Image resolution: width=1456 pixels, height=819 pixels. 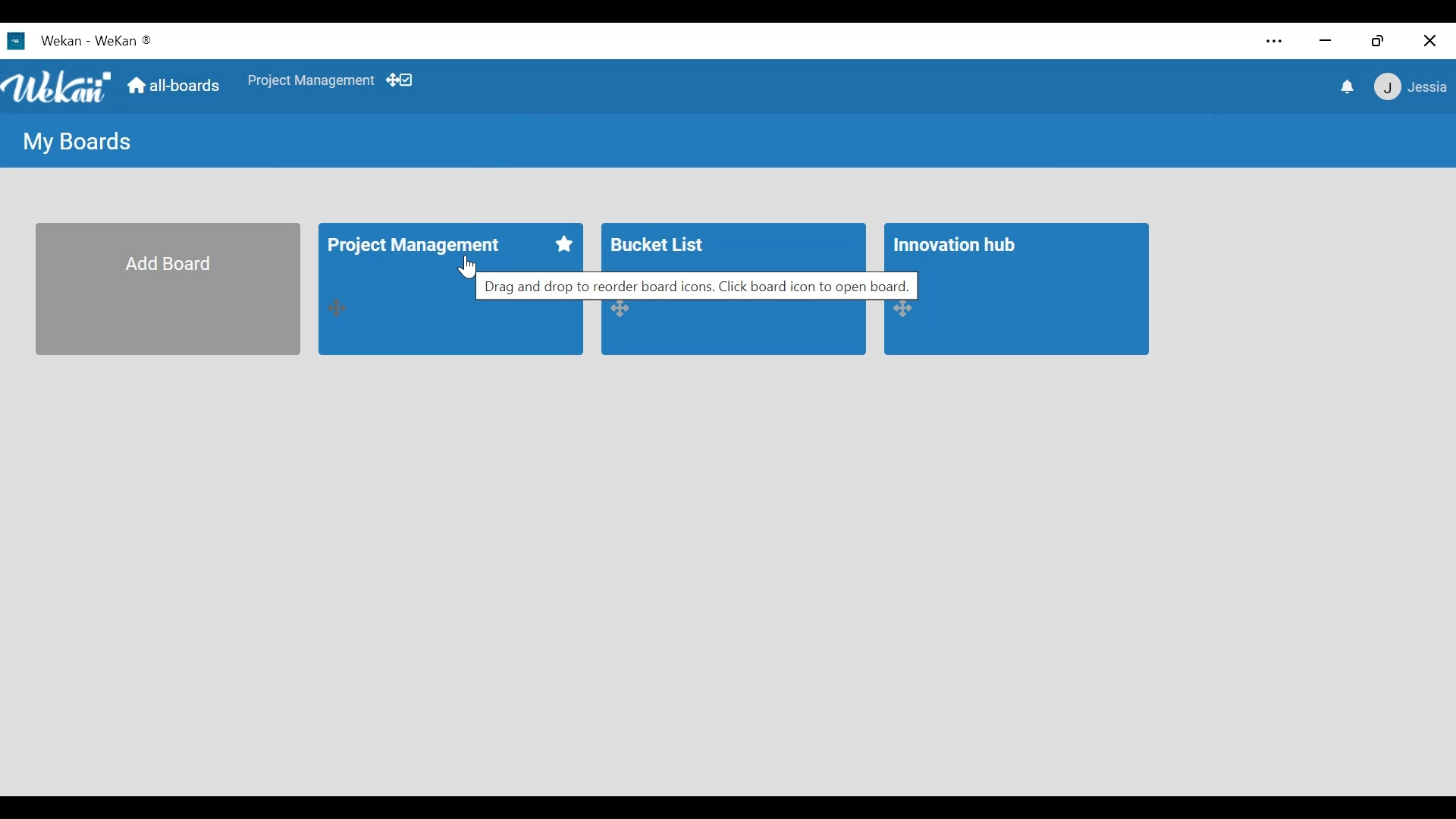 I want to click on Desktop drag handle, so click(x=908, y=310).